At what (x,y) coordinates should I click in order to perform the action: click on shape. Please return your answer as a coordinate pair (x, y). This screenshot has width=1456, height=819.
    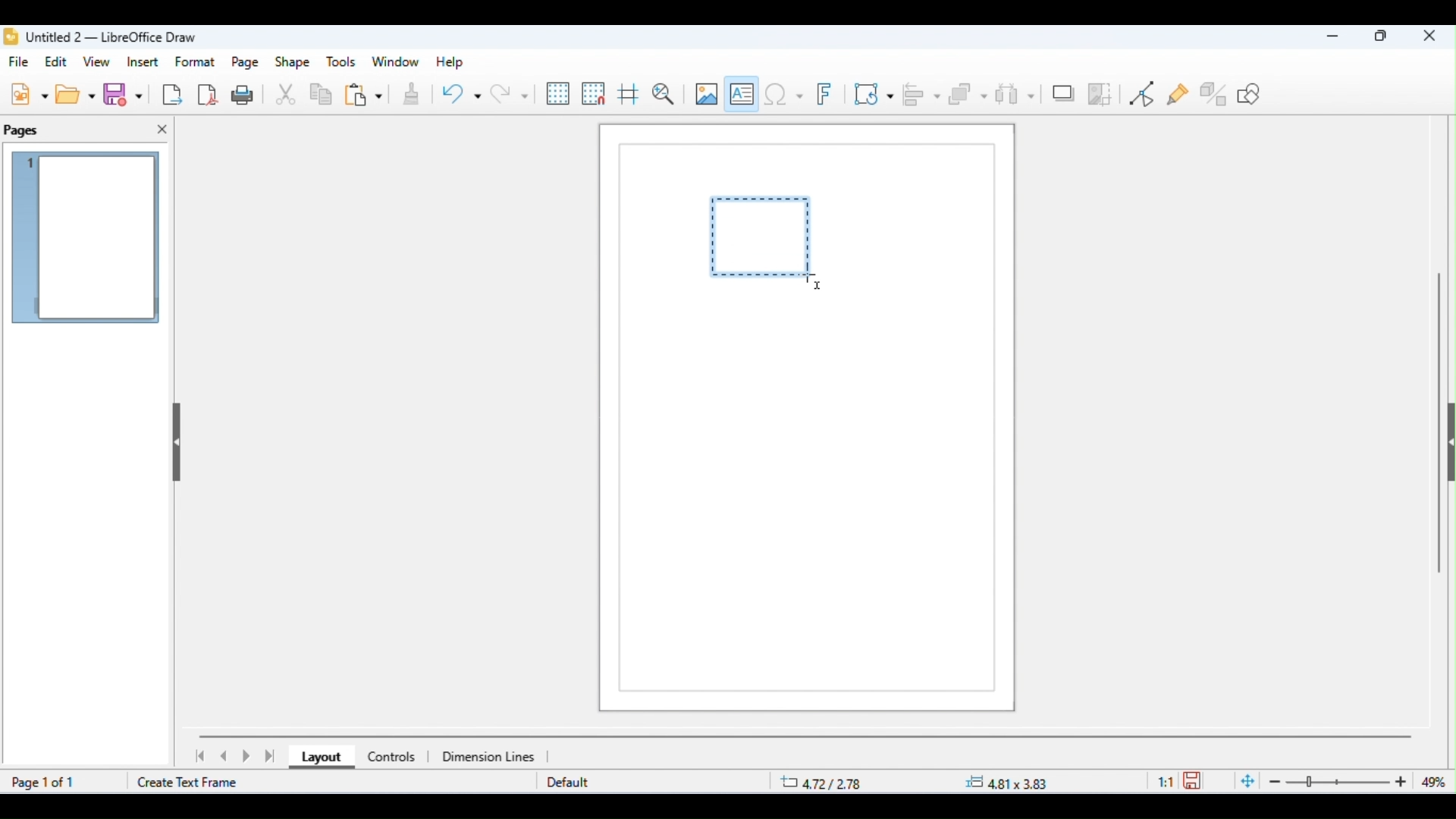
    Looking at the image, I should click on (293, 63).